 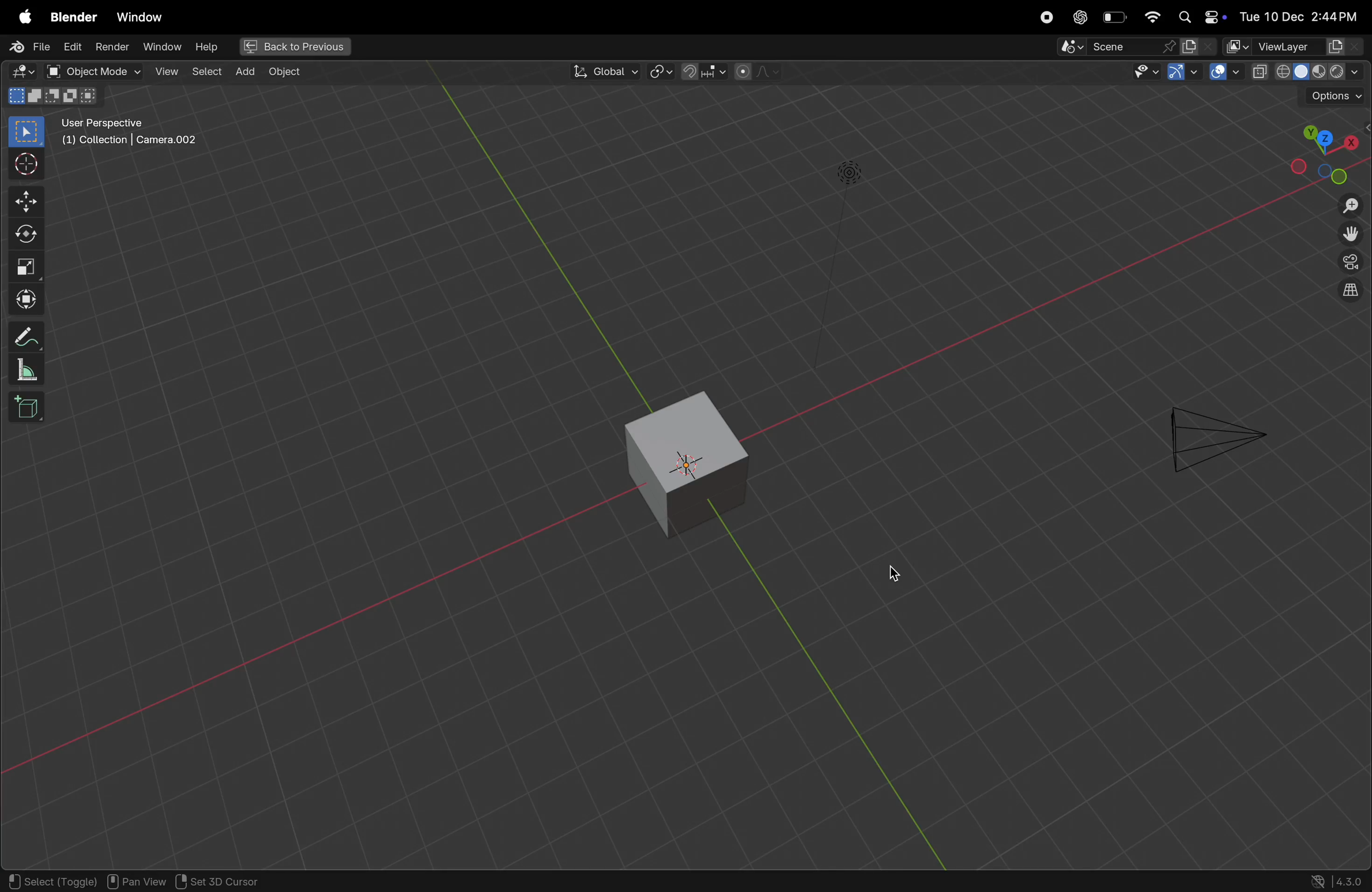 What do you see at coordinates (166, 73) in the screenshot?
I see `view` at bounding box center [166, 73].